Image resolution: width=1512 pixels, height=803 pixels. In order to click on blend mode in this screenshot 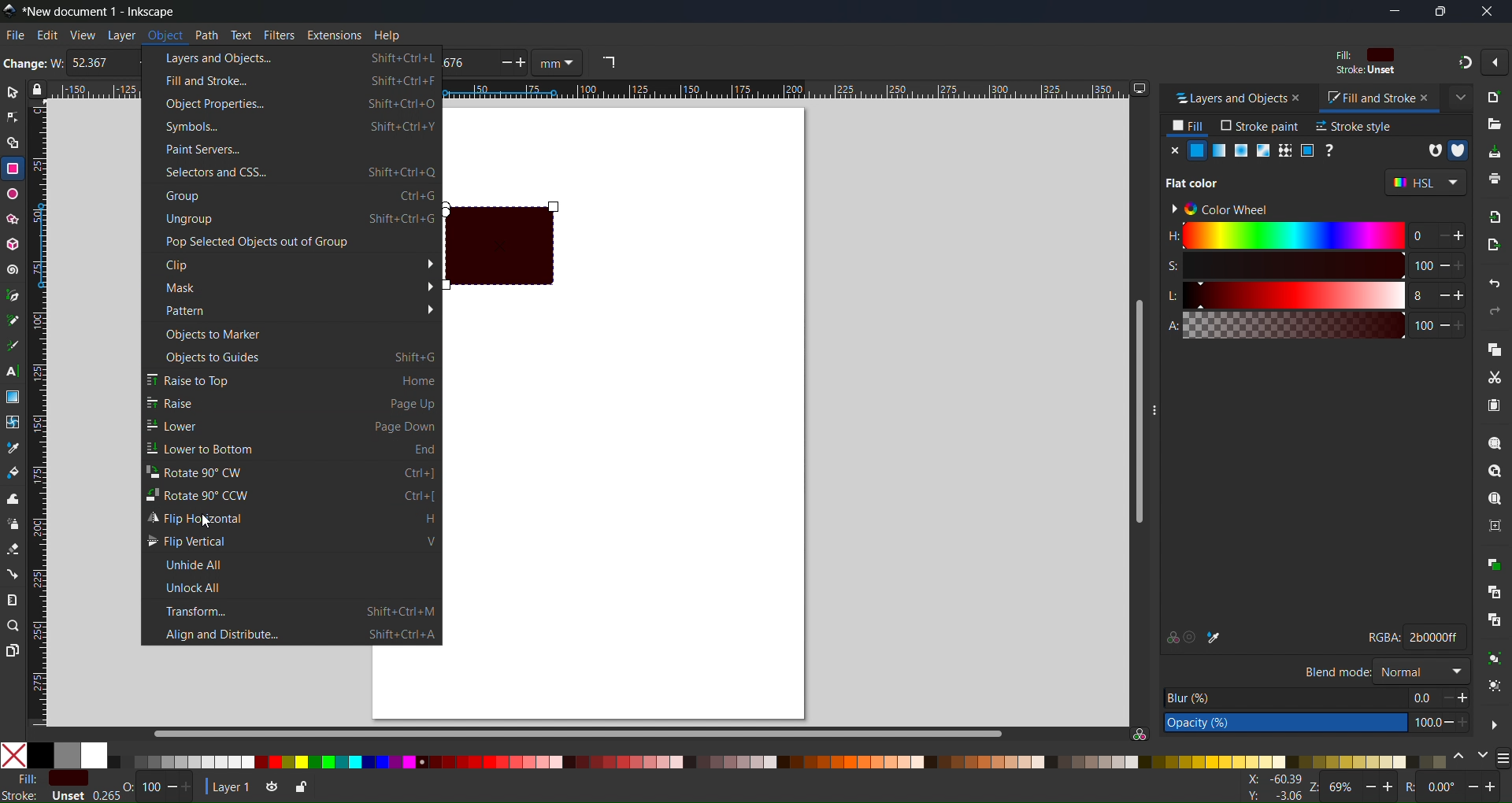, I will do `click(1336, 671)`.